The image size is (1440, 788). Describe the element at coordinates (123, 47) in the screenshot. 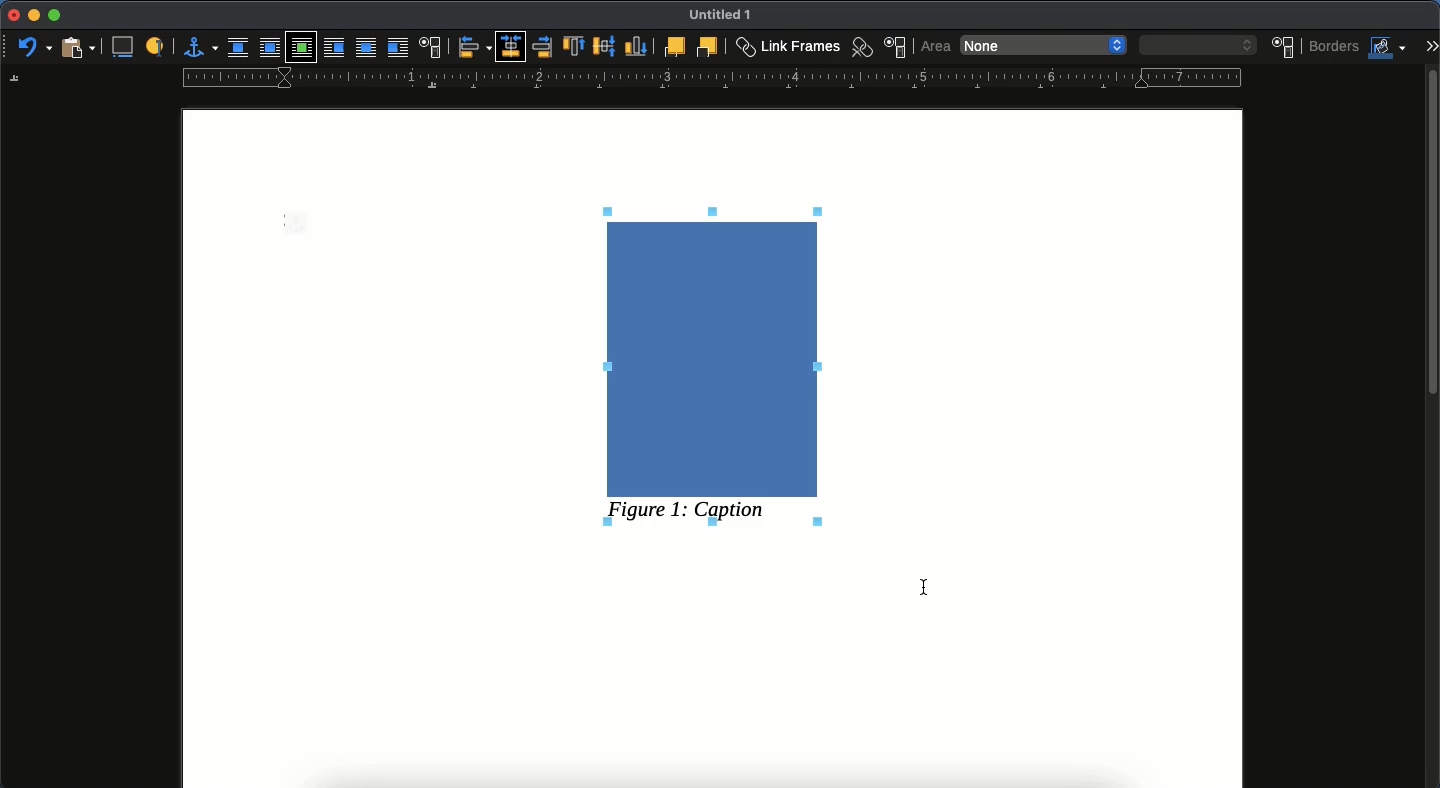

I see `insert caption` at that location.